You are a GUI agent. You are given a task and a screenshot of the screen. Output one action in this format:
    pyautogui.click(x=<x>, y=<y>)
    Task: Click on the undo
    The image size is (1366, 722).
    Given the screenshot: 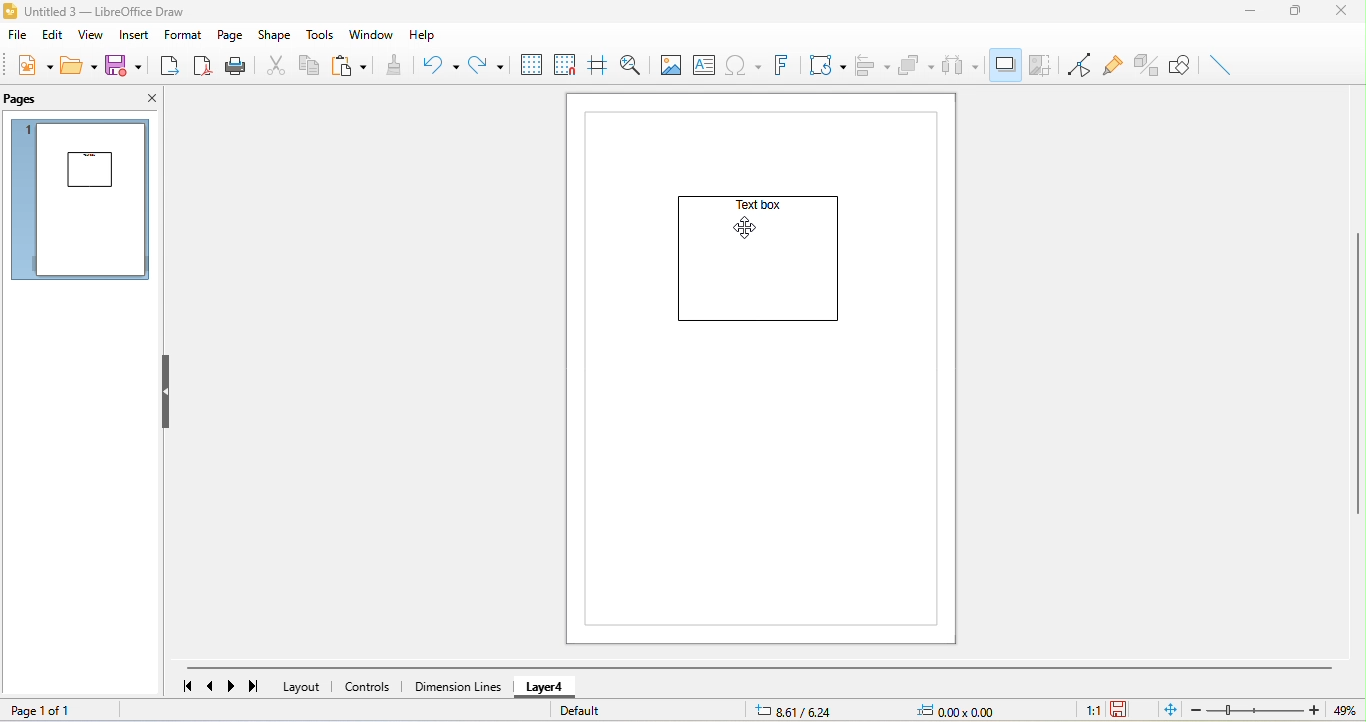 What is the action you would take?
    pyautogui.click(x=439, y=64)
    